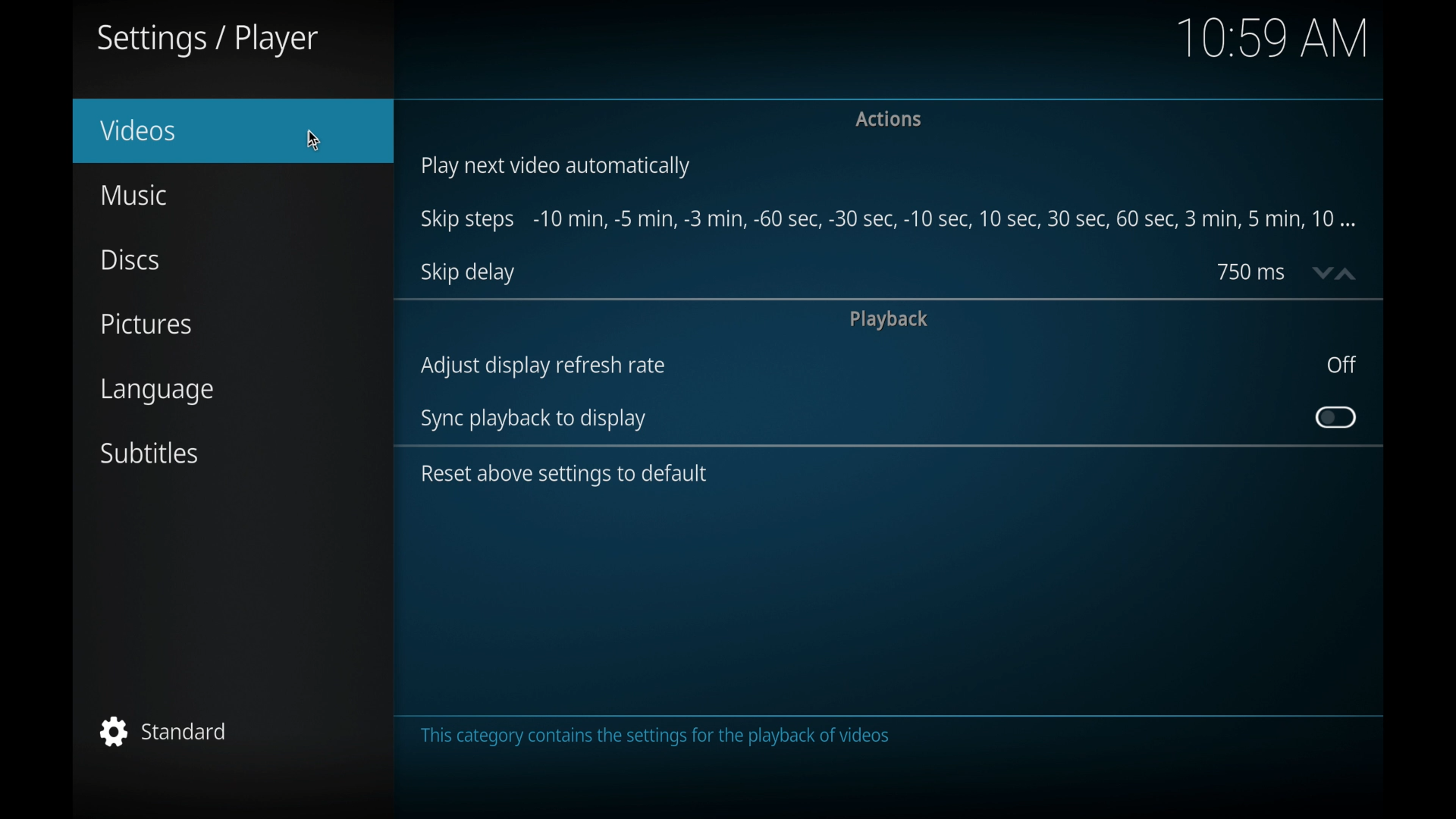  Describe the element at coordinates (158, 391) in the screenshot. I see `language` at that location.